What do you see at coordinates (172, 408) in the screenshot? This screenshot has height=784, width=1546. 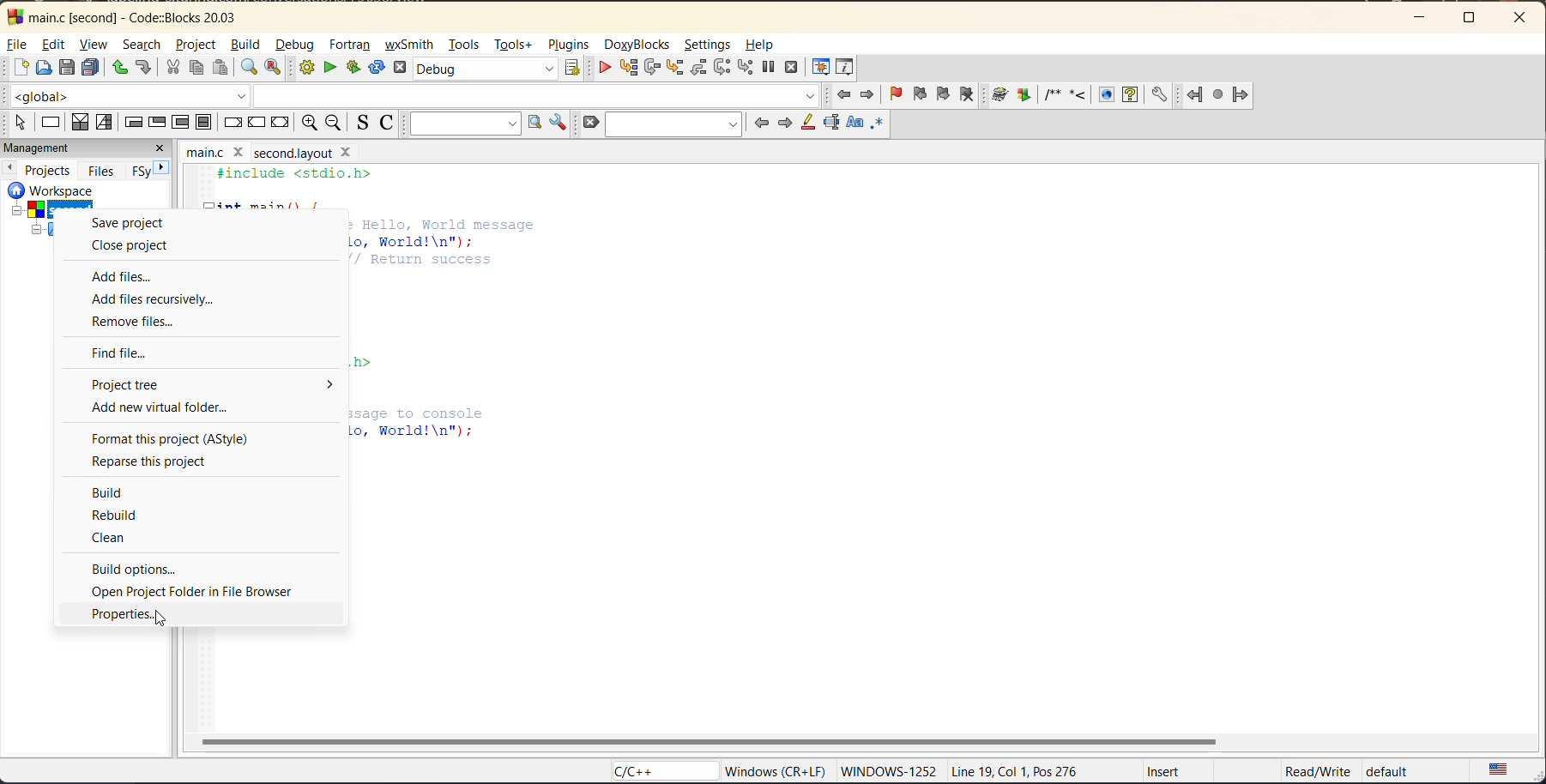 I see `add new virtual folder` at bounding box center [172, 408].